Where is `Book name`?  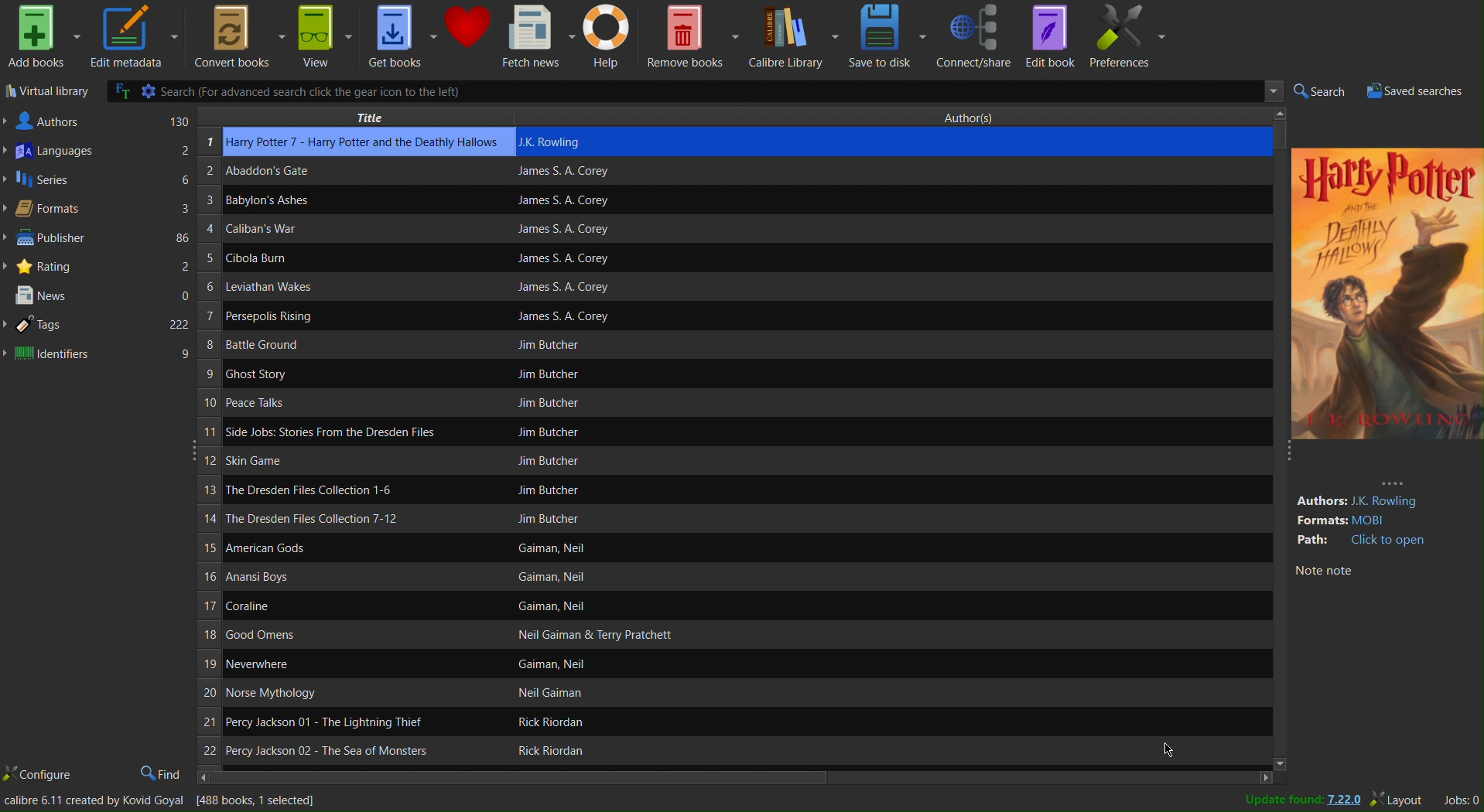 Book name is located at coordinates (282, 231).